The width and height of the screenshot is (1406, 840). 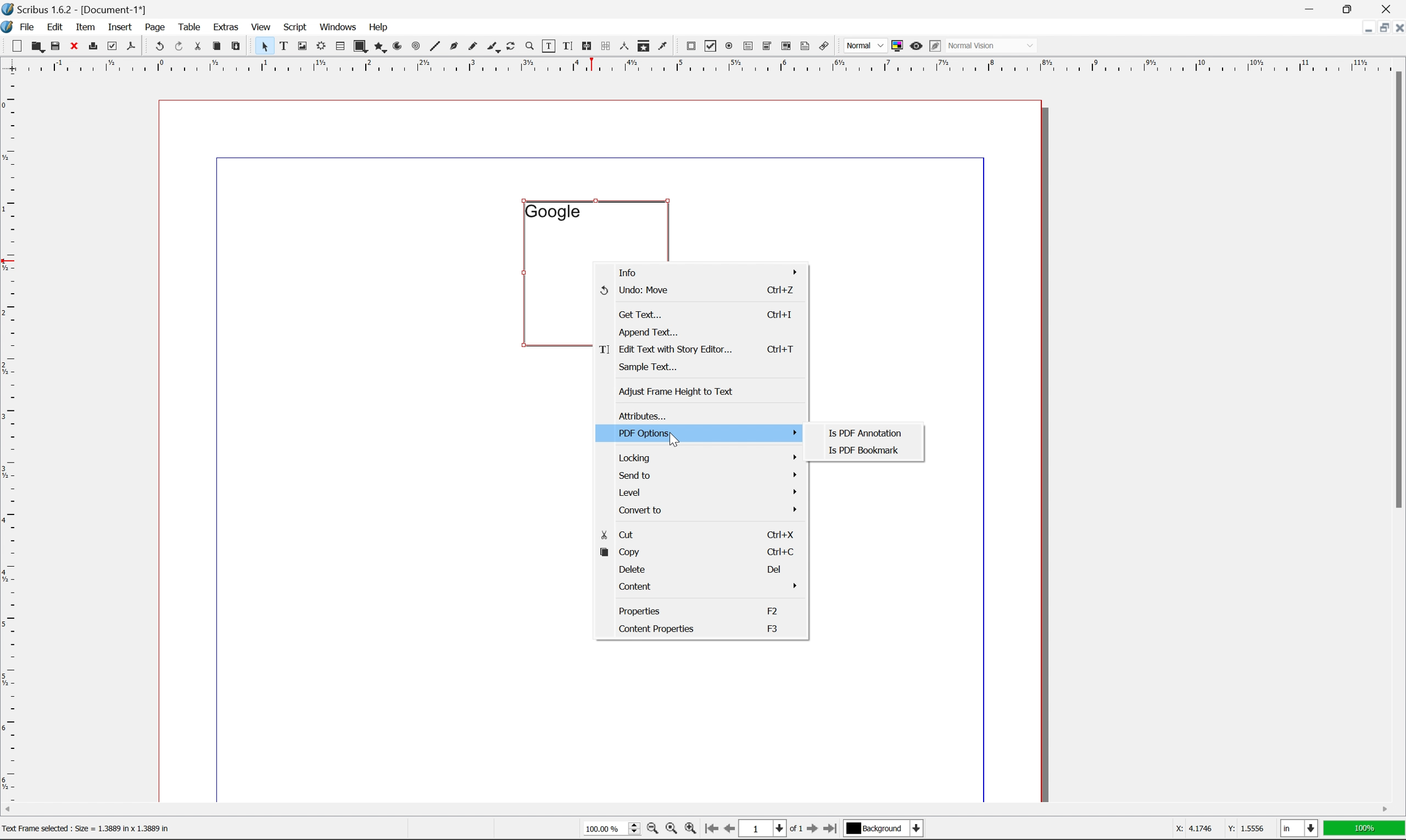 I want to click on edit text with story editor, so click(x=665, y=350).